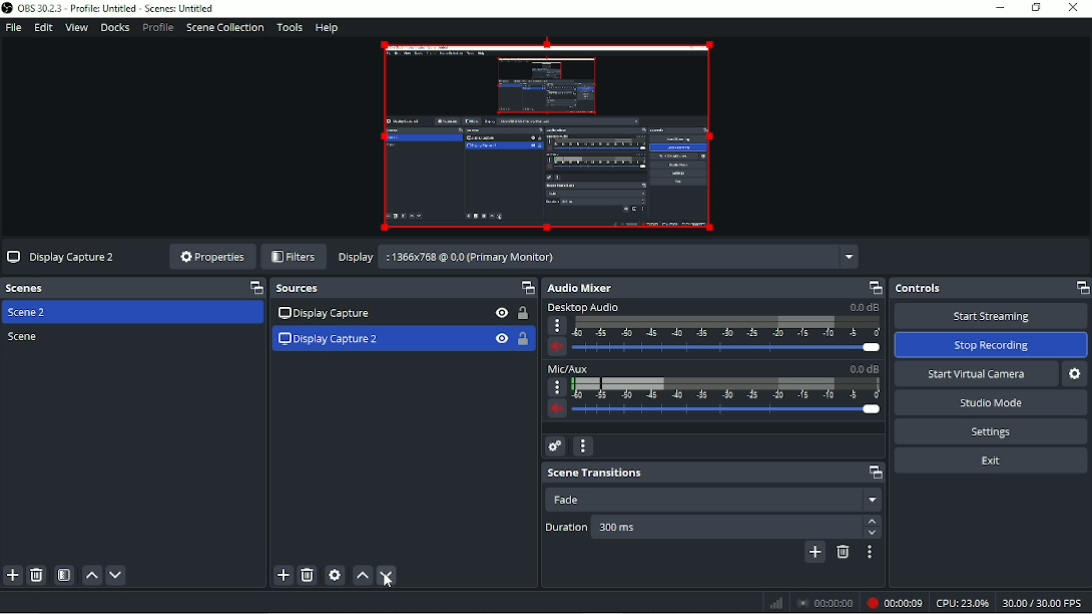 Image resolution: width=1092 pixels, height=614 pixels. I want to click on Stop recording, so click(823, 603).